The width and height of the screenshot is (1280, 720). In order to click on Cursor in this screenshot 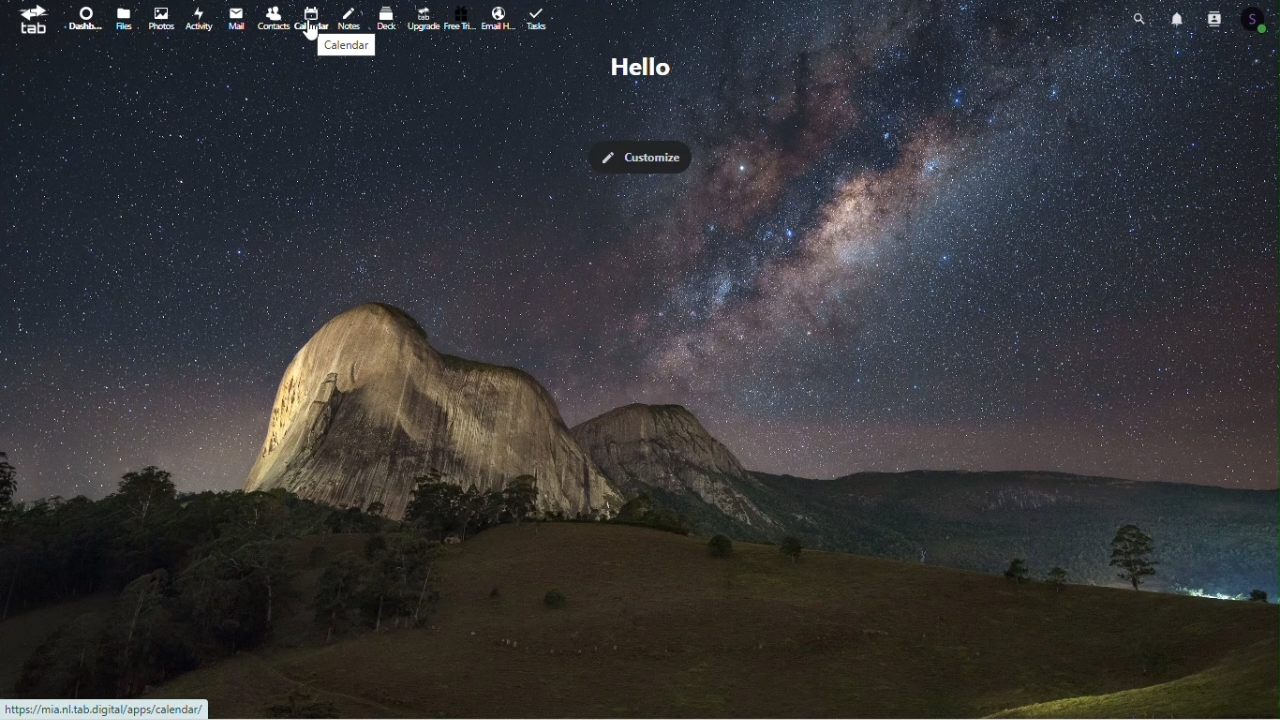, I will do `click(310, 31)`.